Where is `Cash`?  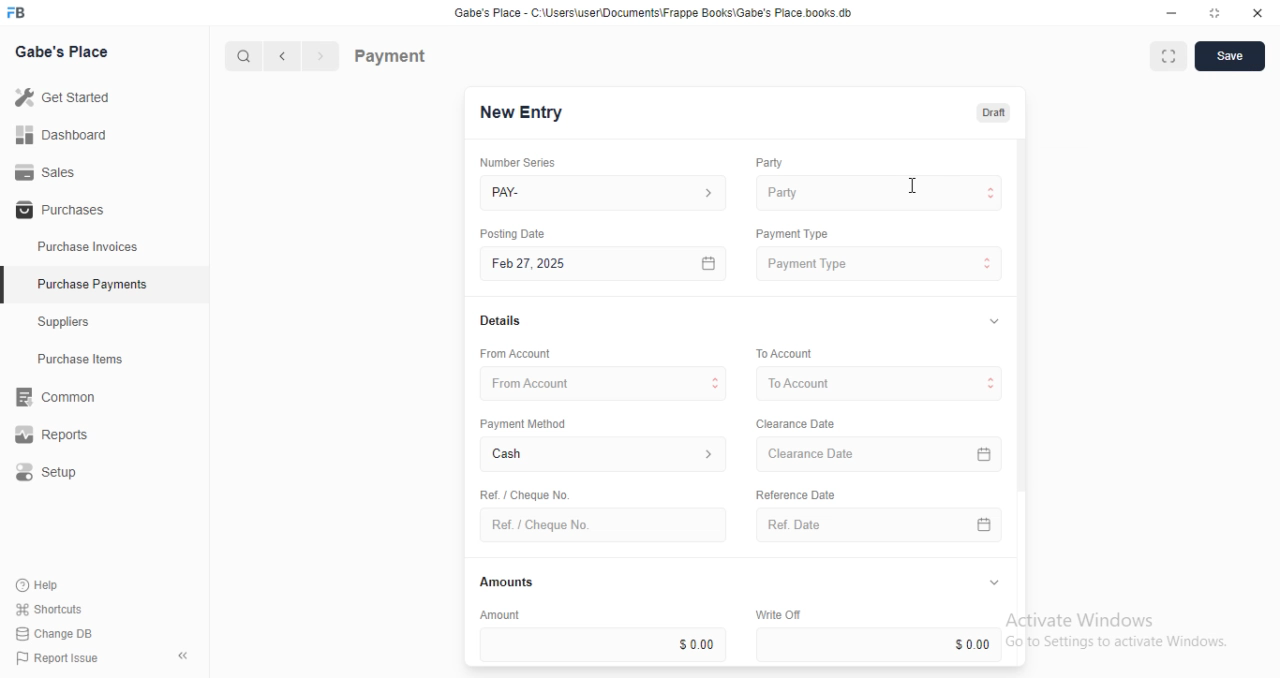 Cash is located at coordinates (604, 456).